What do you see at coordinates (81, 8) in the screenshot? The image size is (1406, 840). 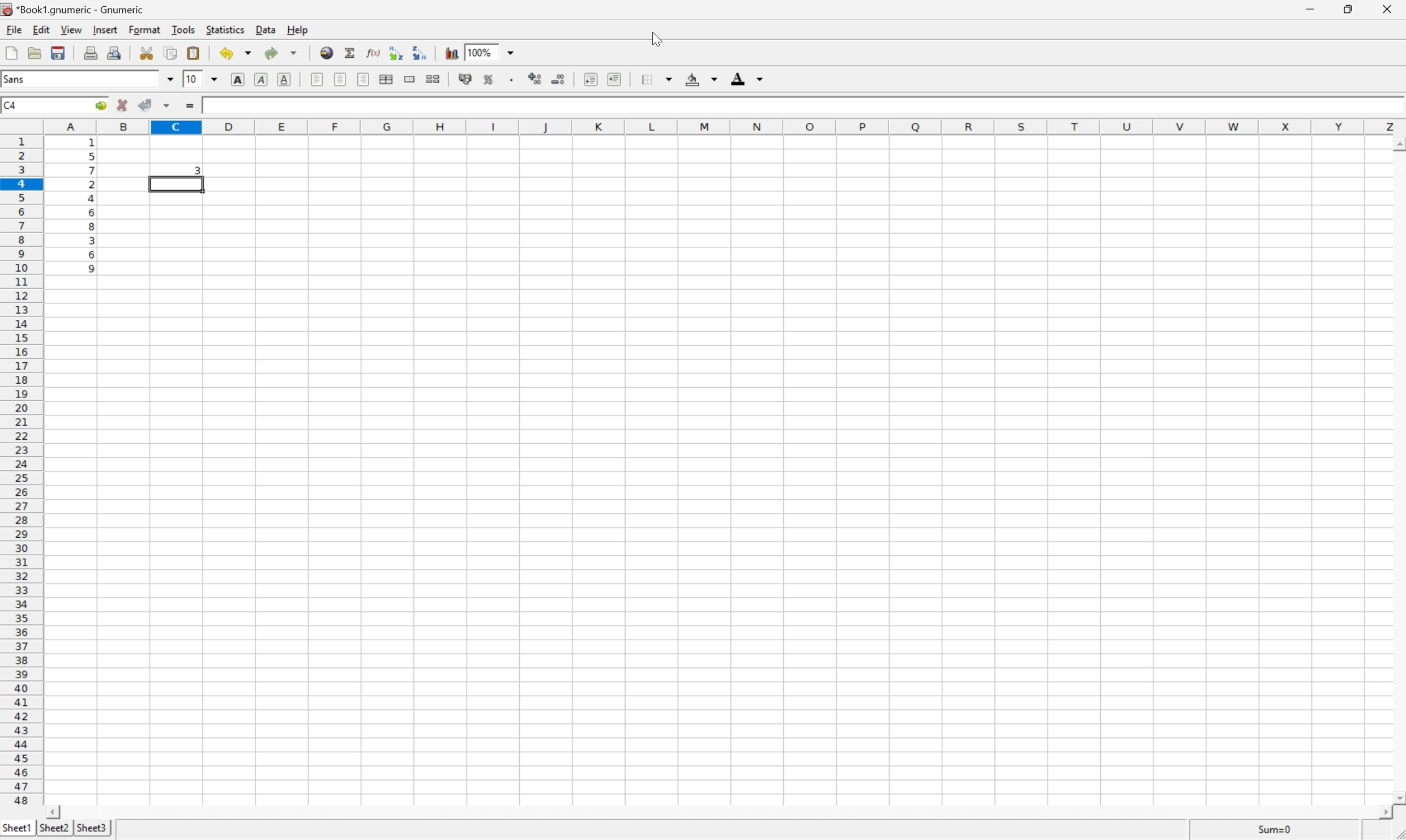 I see `application name` at bounding box center [81, 8].